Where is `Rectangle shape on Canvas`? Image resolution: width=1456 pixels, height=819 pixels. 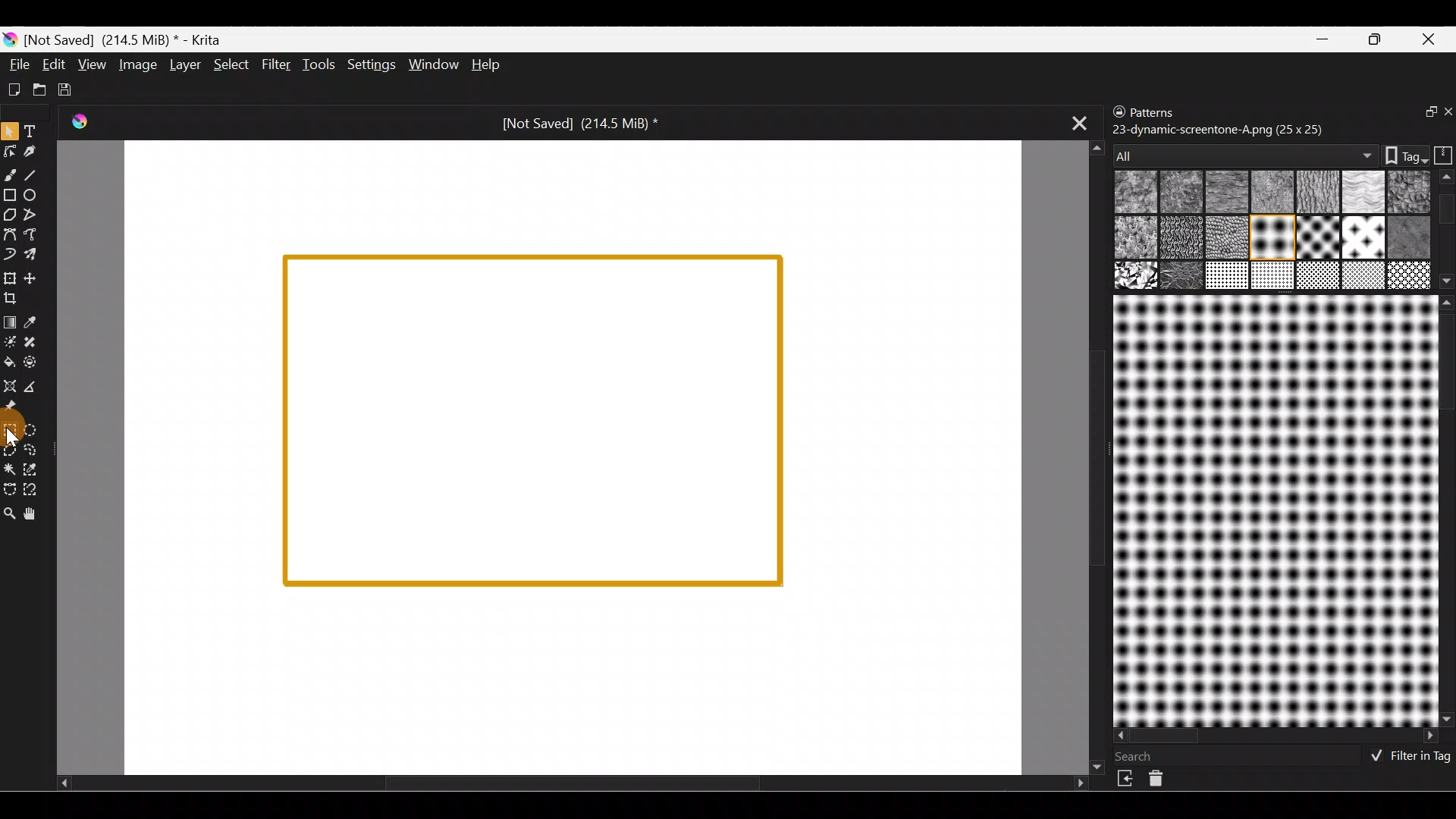 Rectangle shape on Canvas is located at coordinates (532, 421).